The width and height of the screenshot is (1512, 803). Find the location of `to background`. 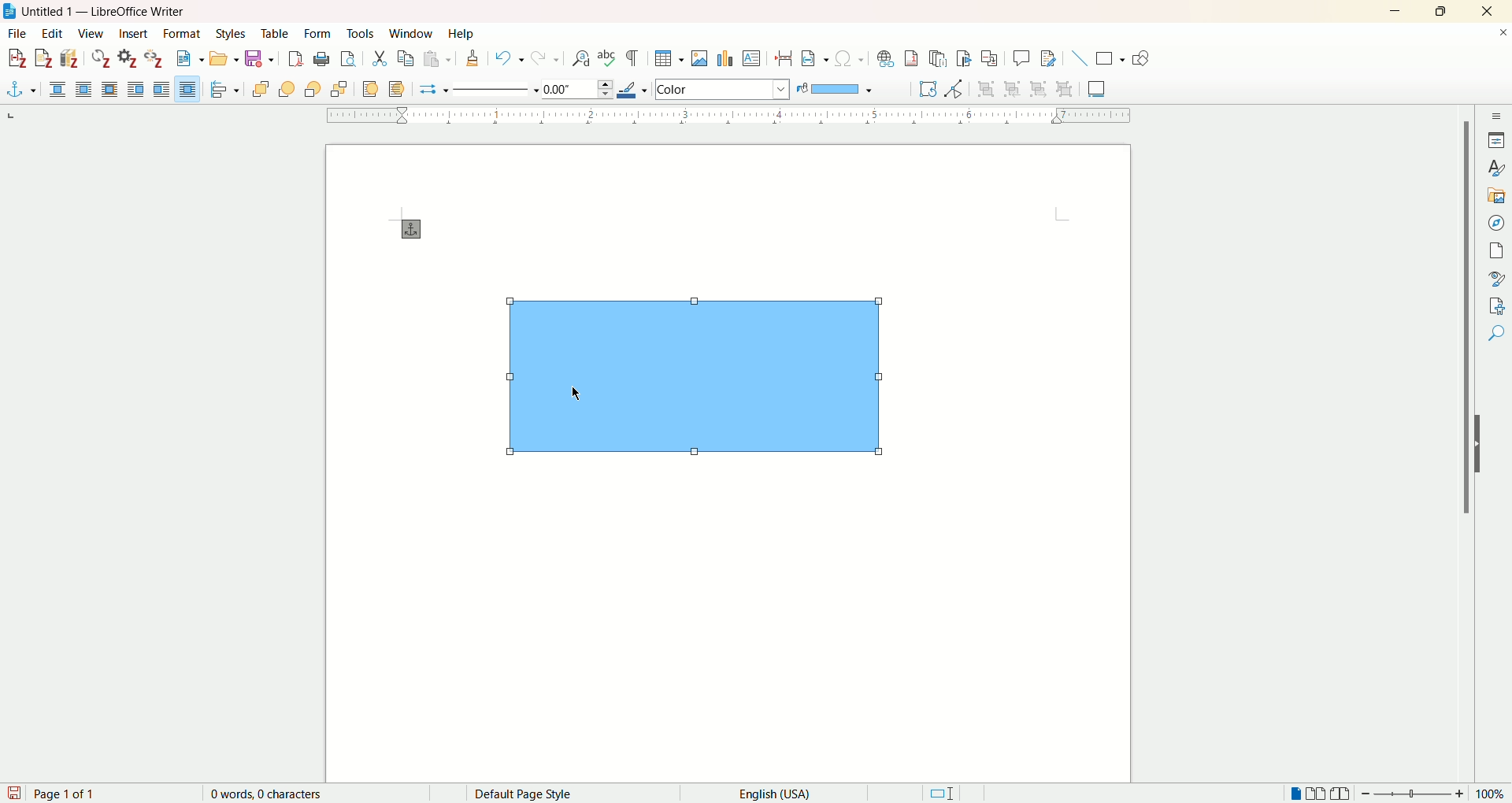

to background is located at coordinates (398, 90).